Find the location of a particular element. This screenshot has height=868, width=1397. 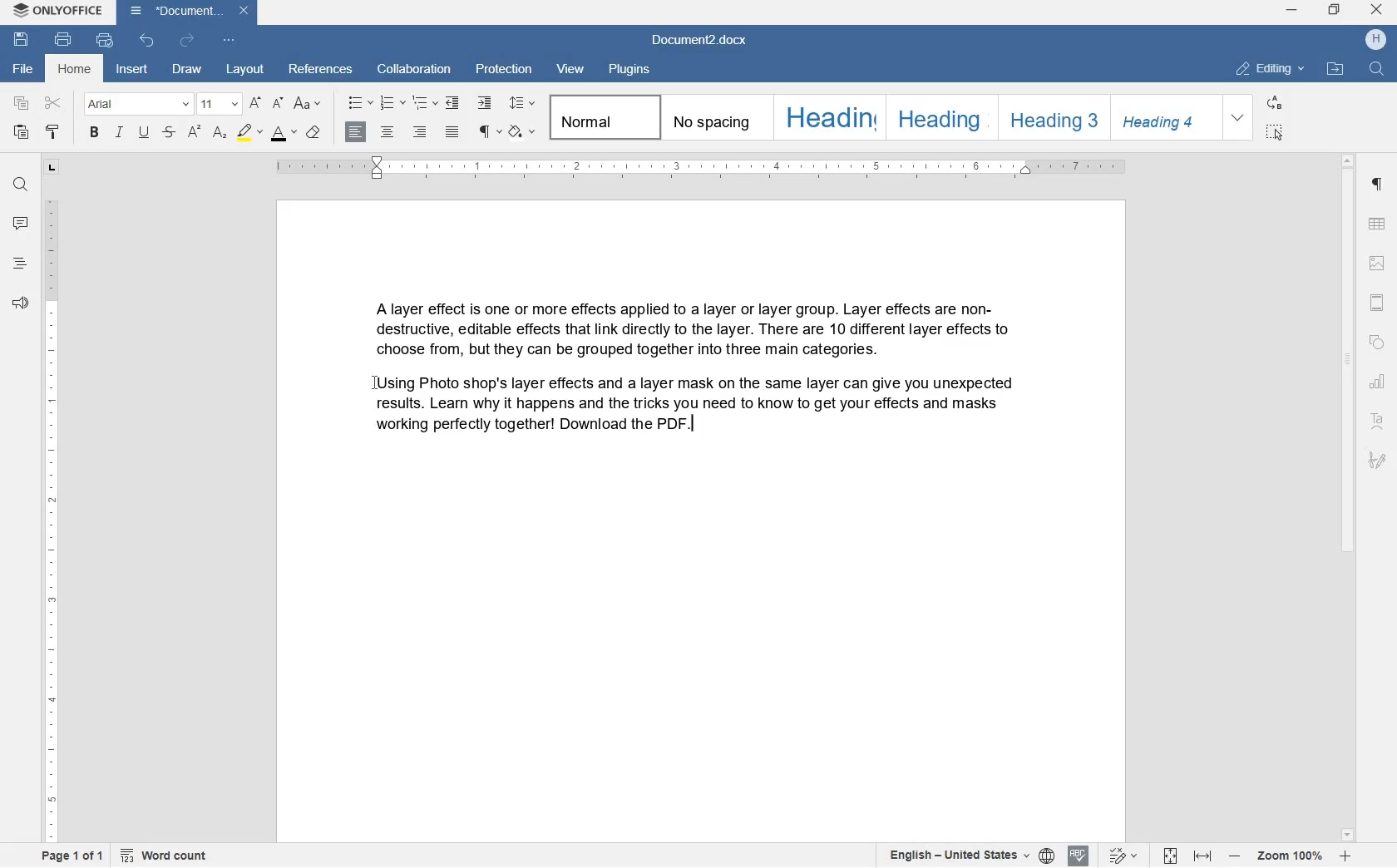

TRACK CHANGES is located at coordinates (1123, 856).